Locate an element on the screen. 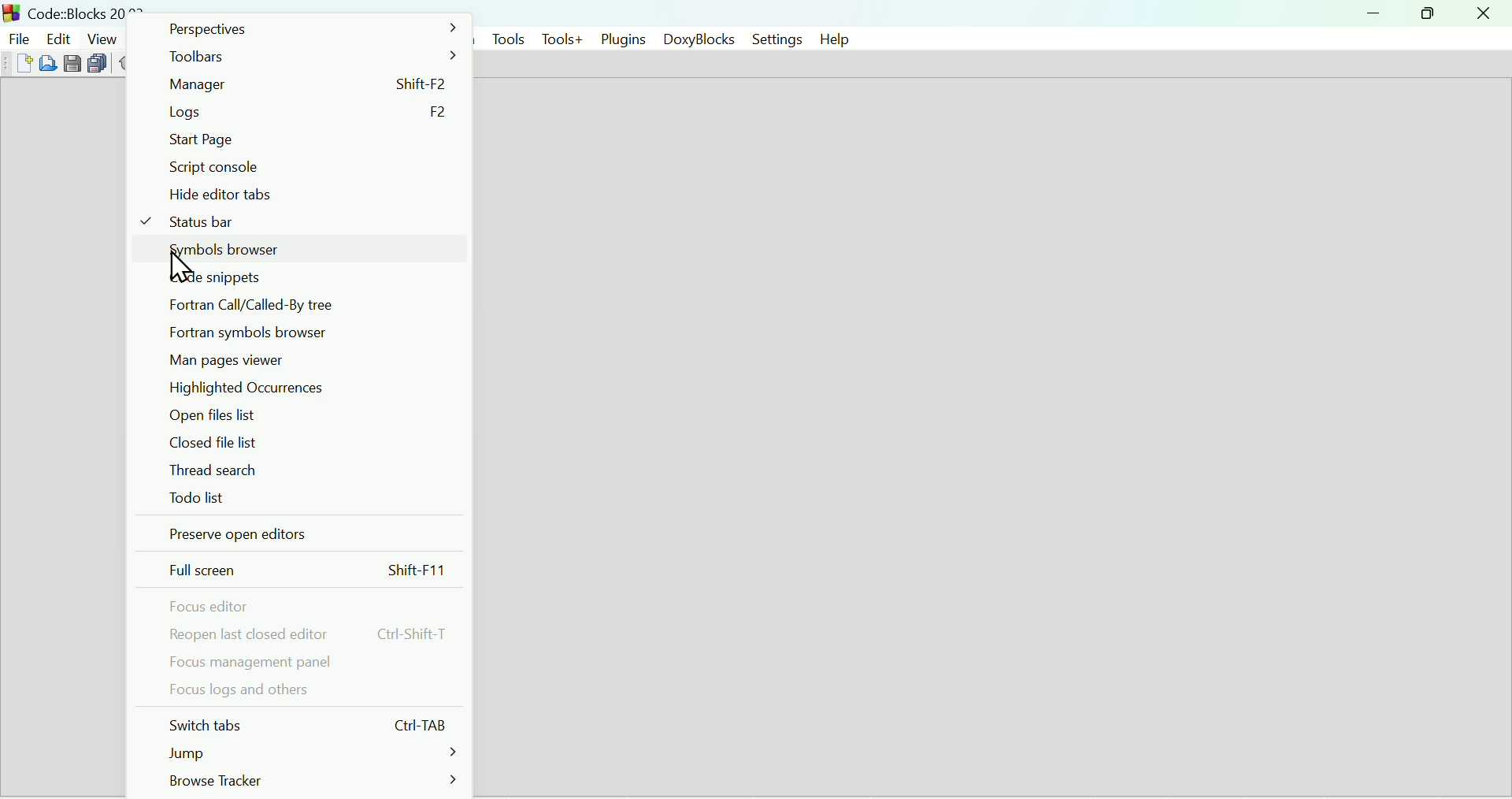  Jump is located at coordinates (309, 751).